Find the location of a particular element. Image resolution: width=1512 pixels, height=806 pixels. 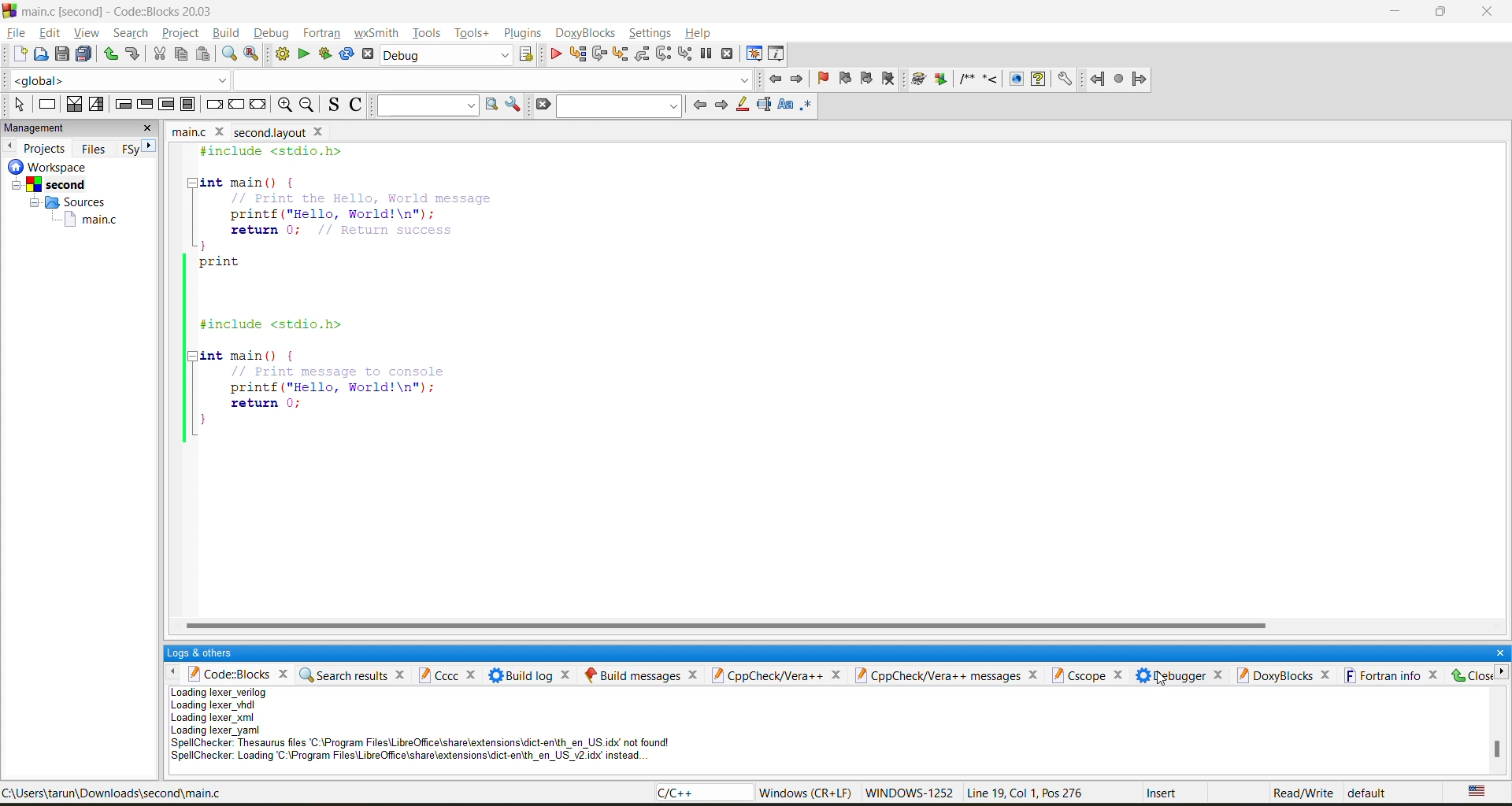

match case is located at coordinates (785, 107).